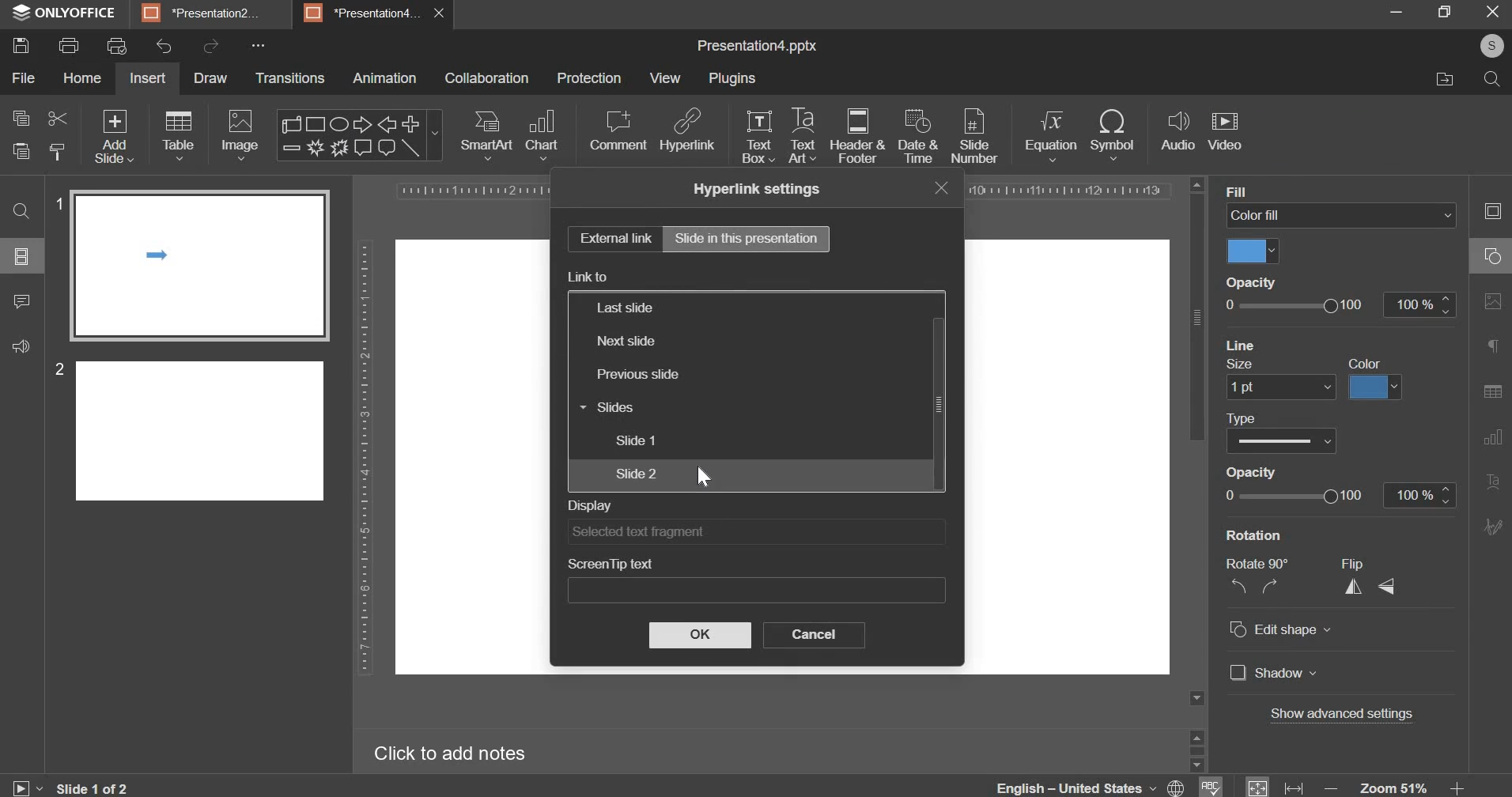 This screenshot has height=797, width=1512. I want to click on fit, so click(1273, 784).